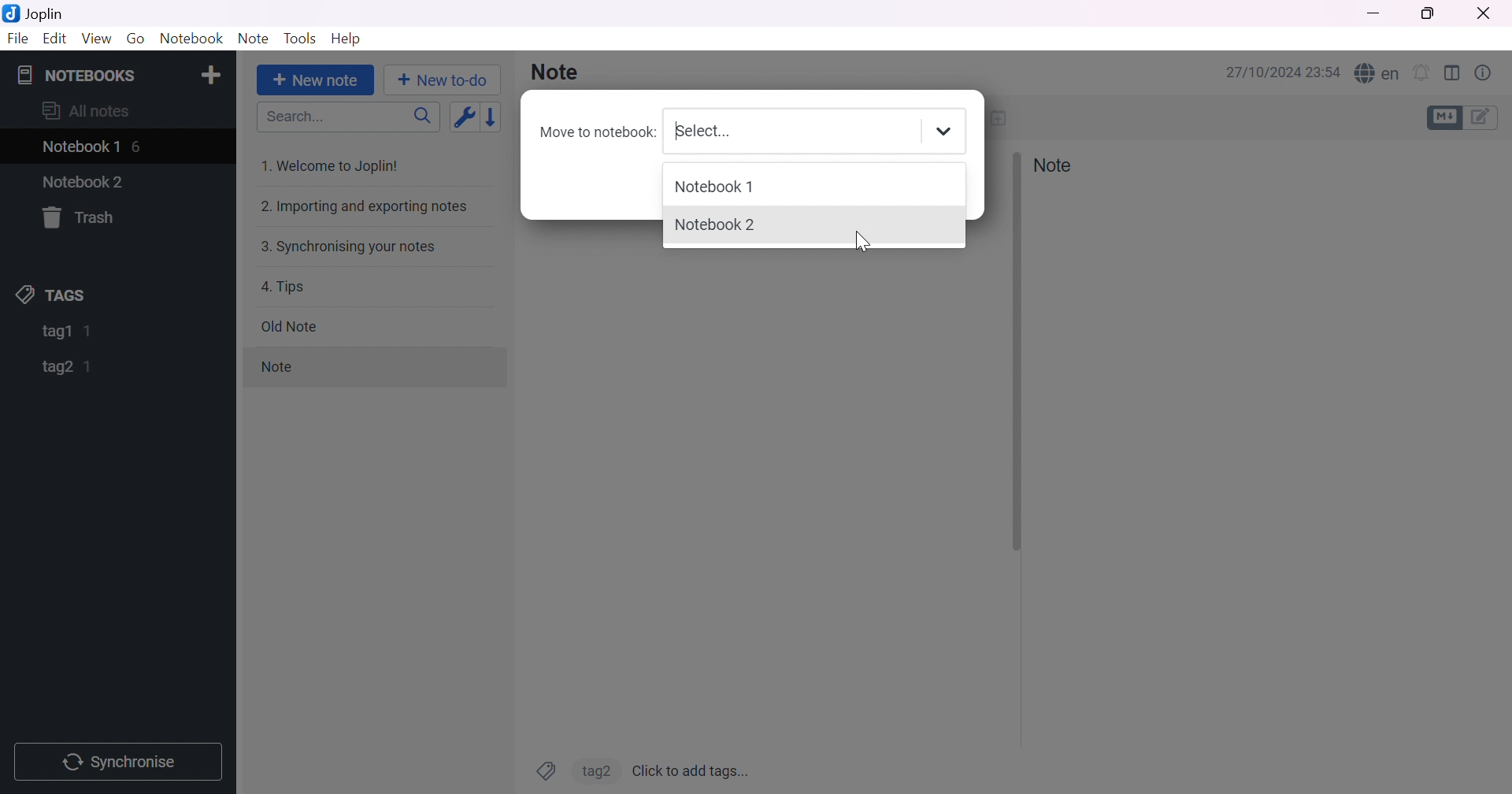  I want to click on +New to-do, so click(447, 81).